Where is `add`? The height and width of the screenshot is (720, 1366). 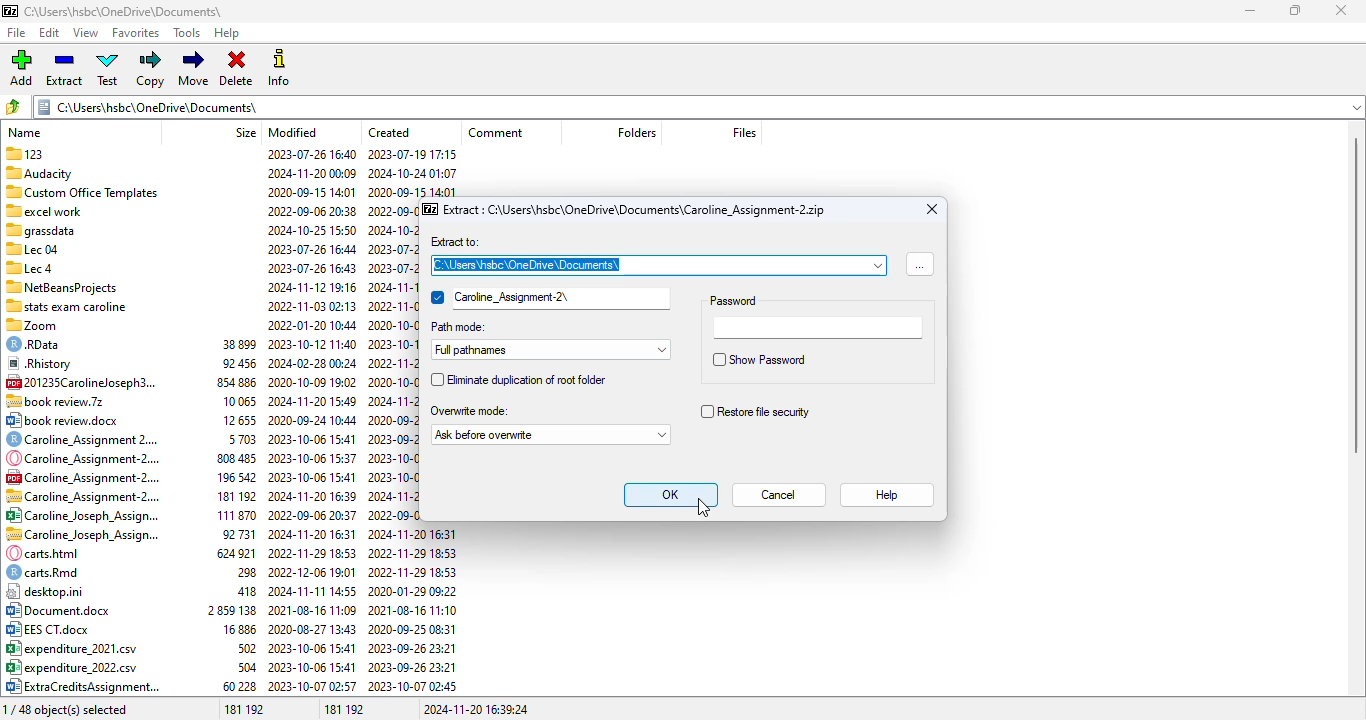 add is located at coordinates (20, 68).